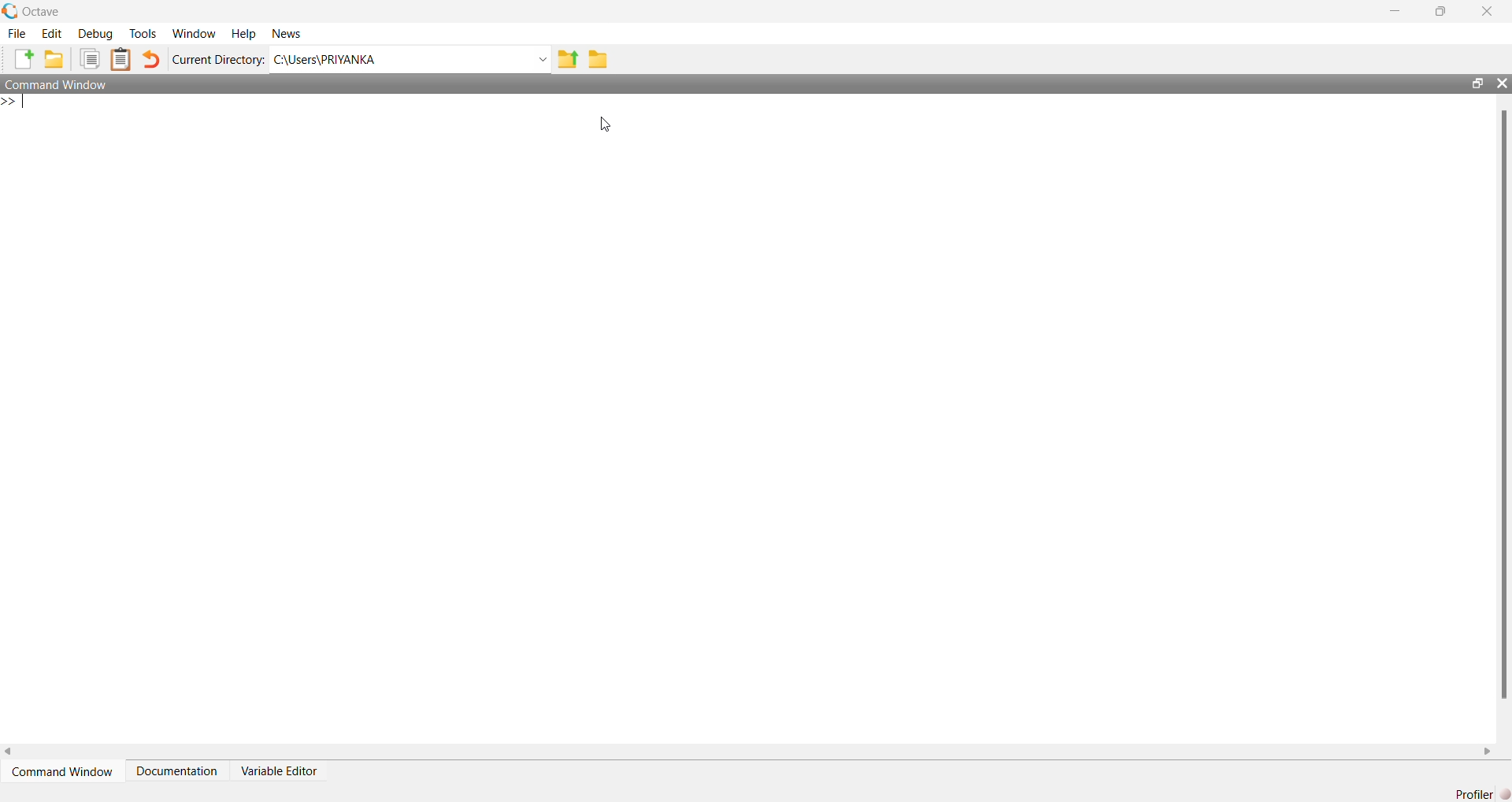 Image resolution: width=1512 pixels, height=802 pixels. I want to click on resize, so click(1477, 83).